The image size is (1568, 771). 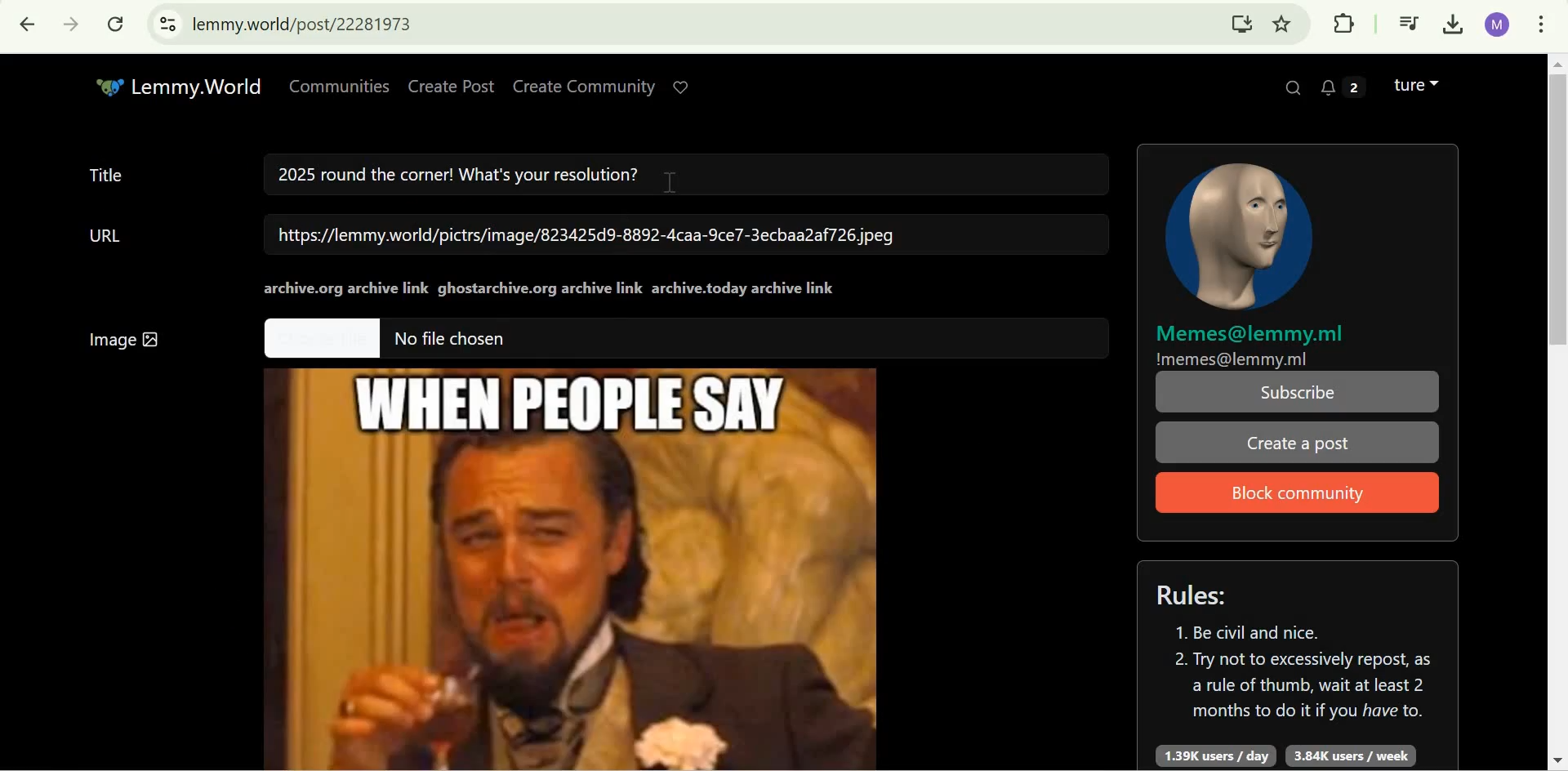 I want to click on Subscribe, so click(x=1299, y=392).